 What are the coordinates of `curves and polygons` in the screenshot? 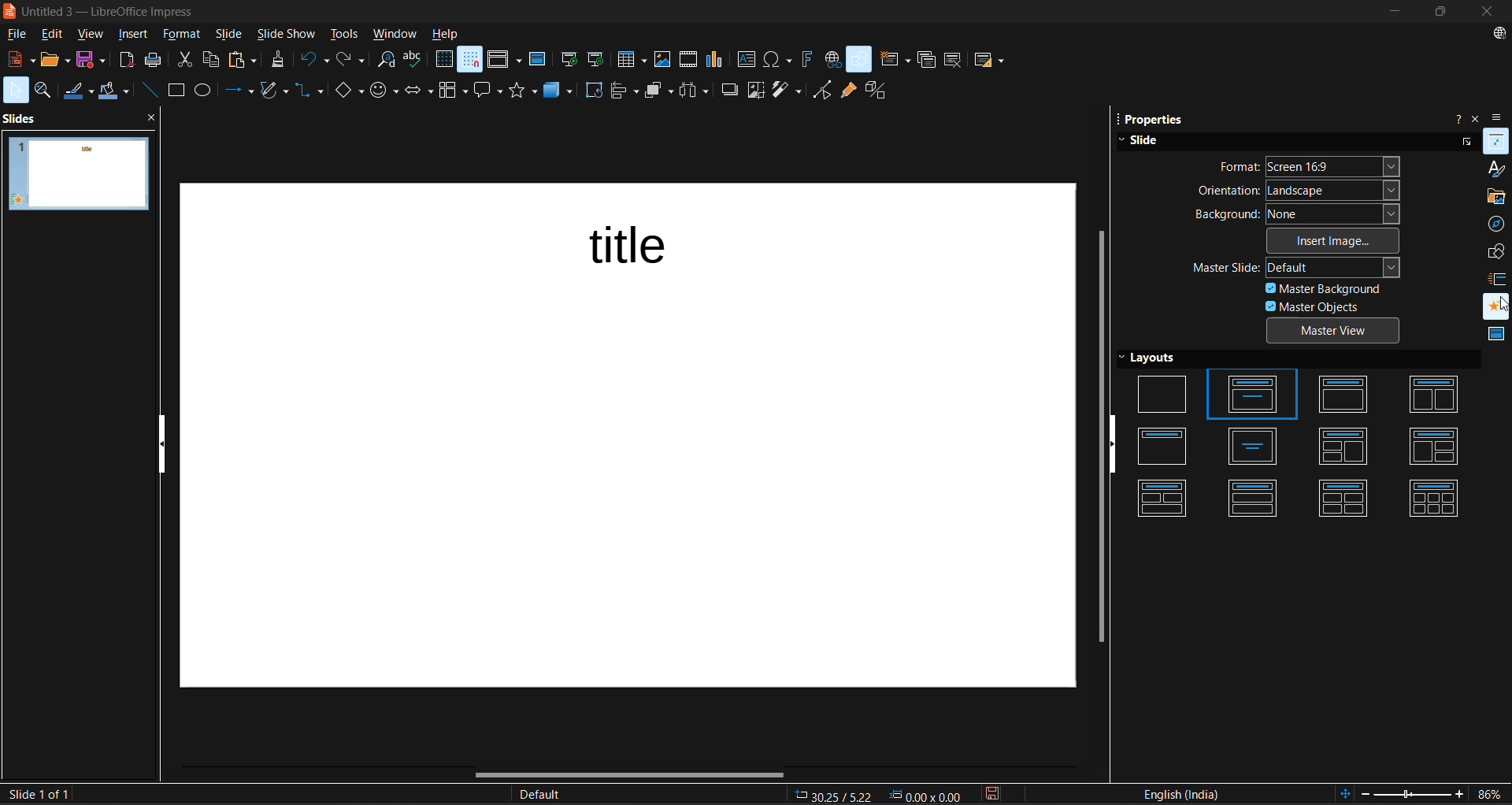 It's located at (273, 91).